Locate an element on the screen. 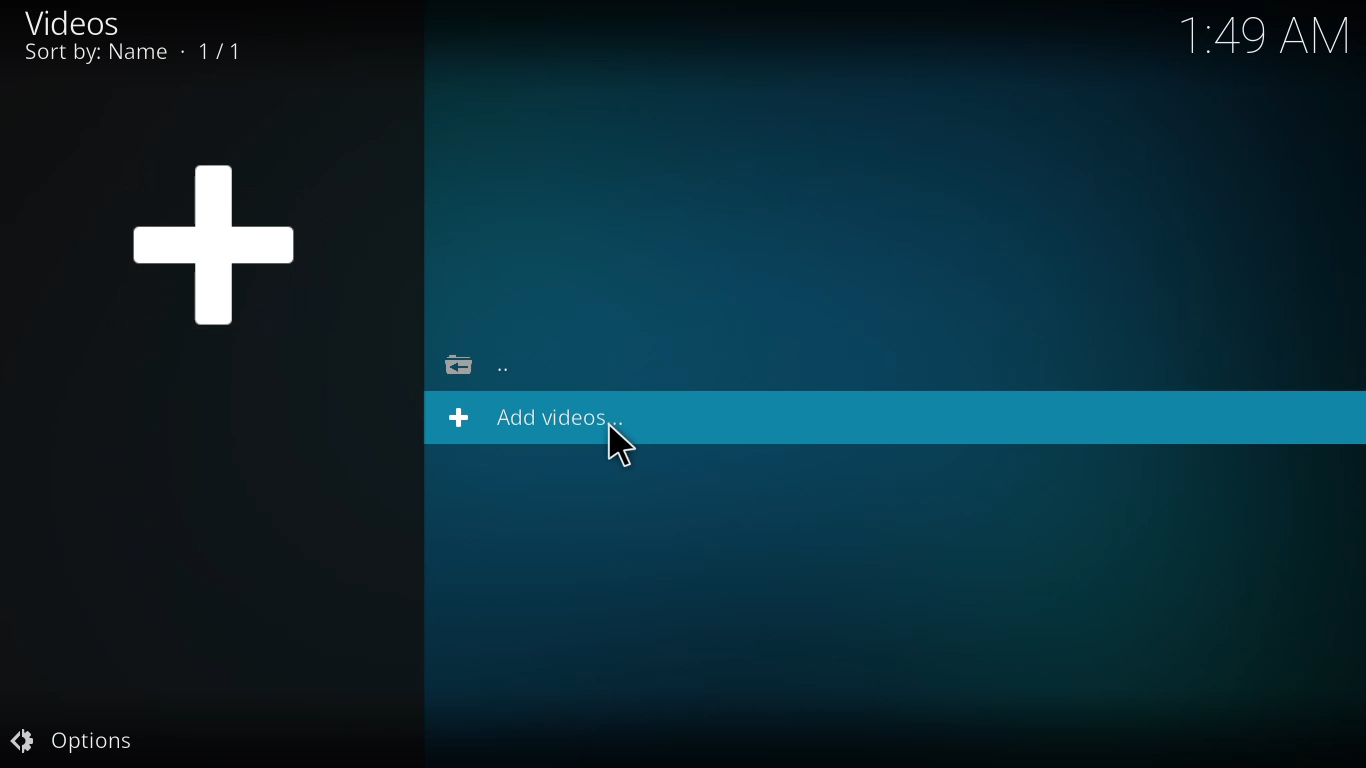 This screenshot has height=768, width=1366. add videos is located at coordinates (542, 419).